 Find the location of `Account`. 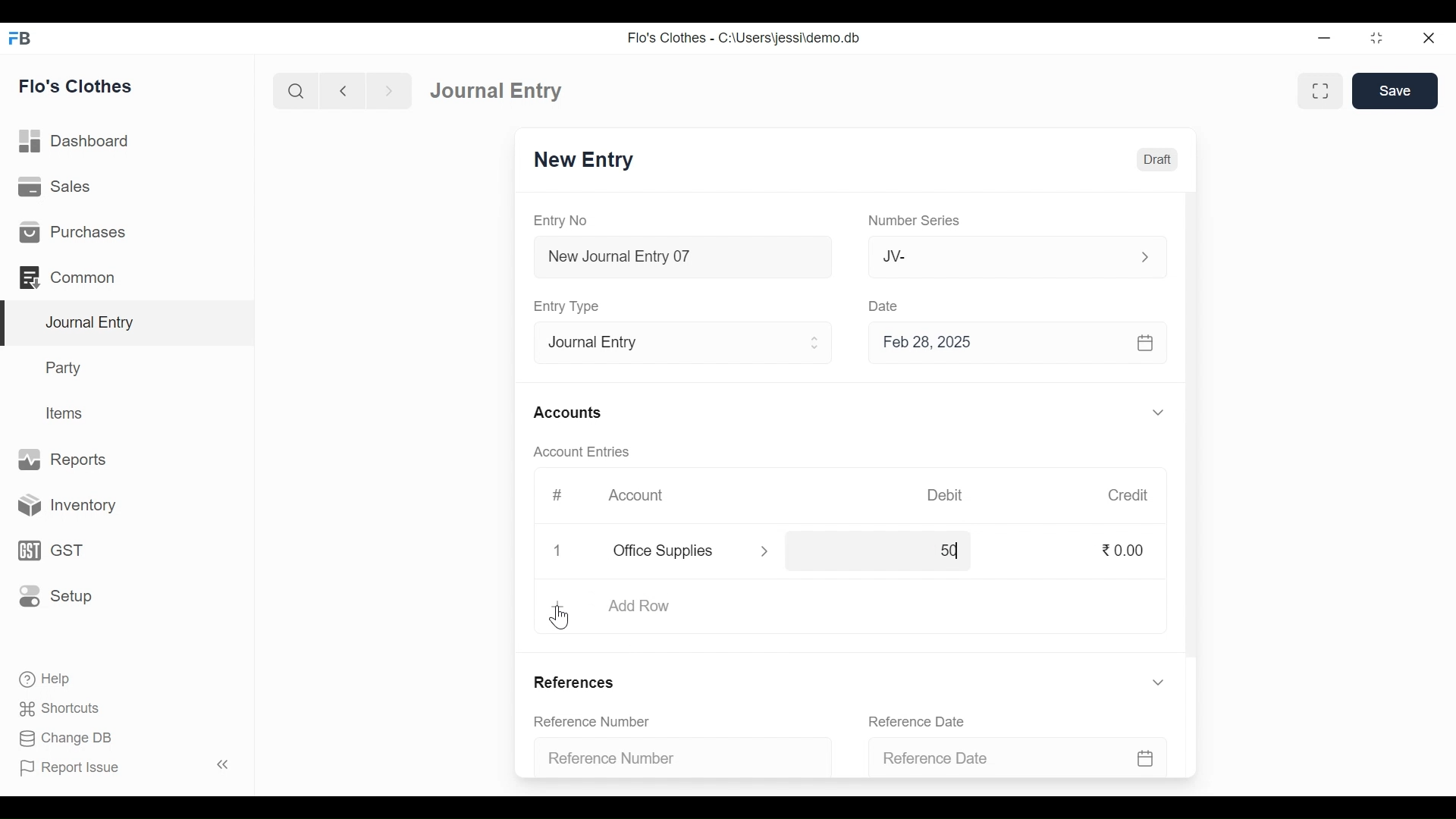

Account is located at coordinates (635, 493).